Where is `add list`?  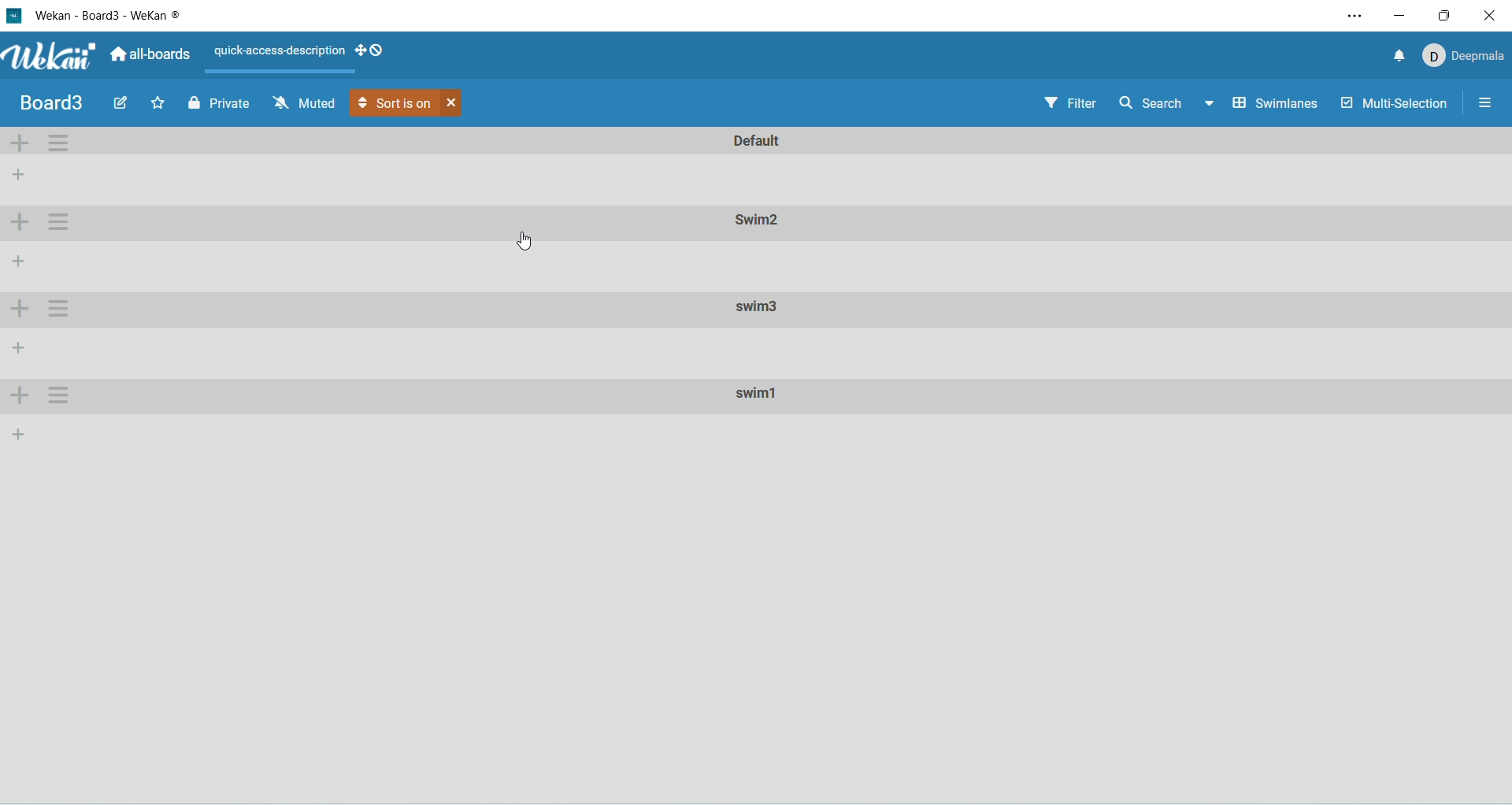
add list is located at coordinates (17, 433).